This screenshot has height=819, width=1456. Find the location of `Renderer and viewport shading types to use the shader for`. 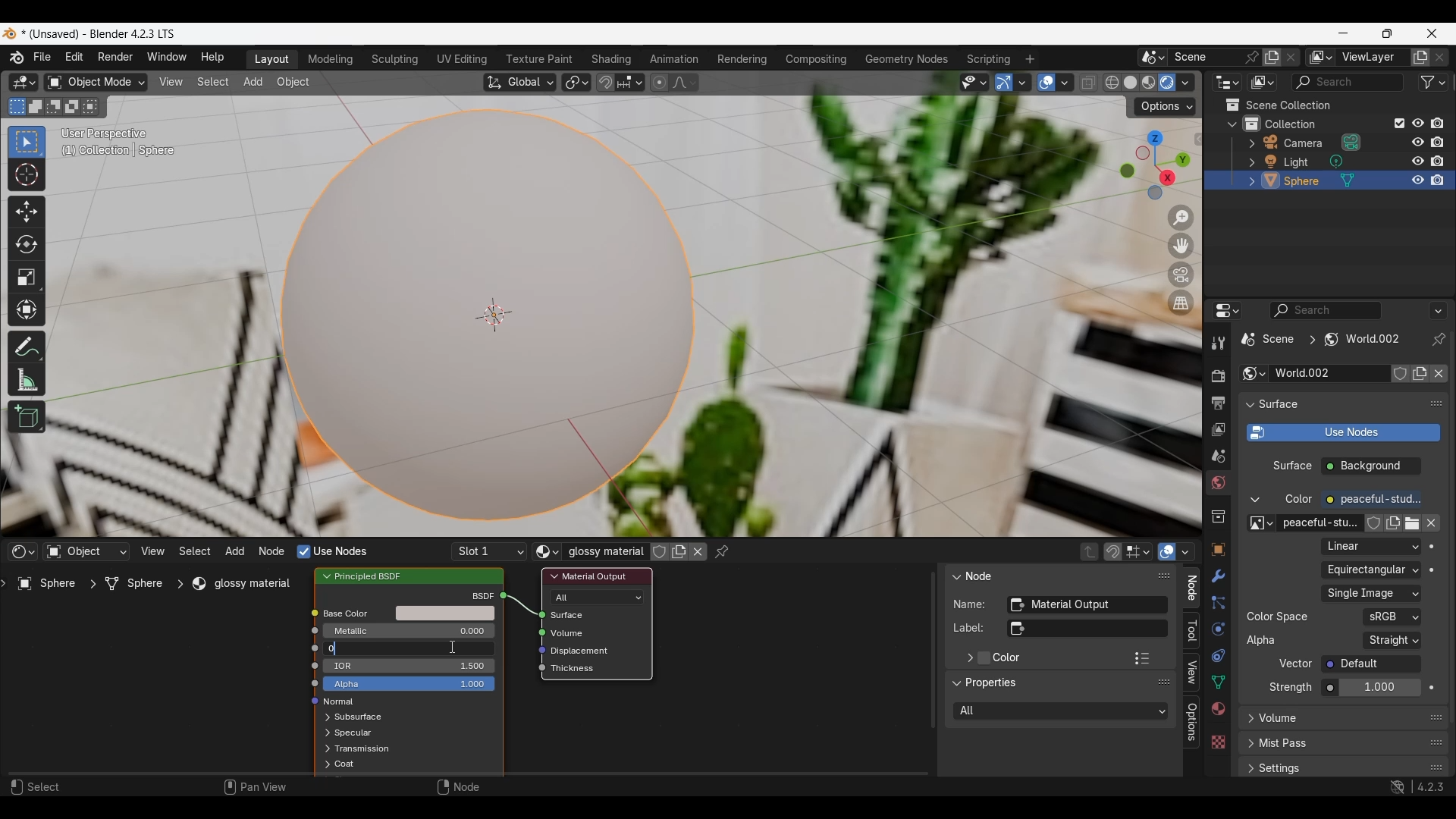

Renderer and viewport shading types to use the shader for is located at coordinates (598, 597).